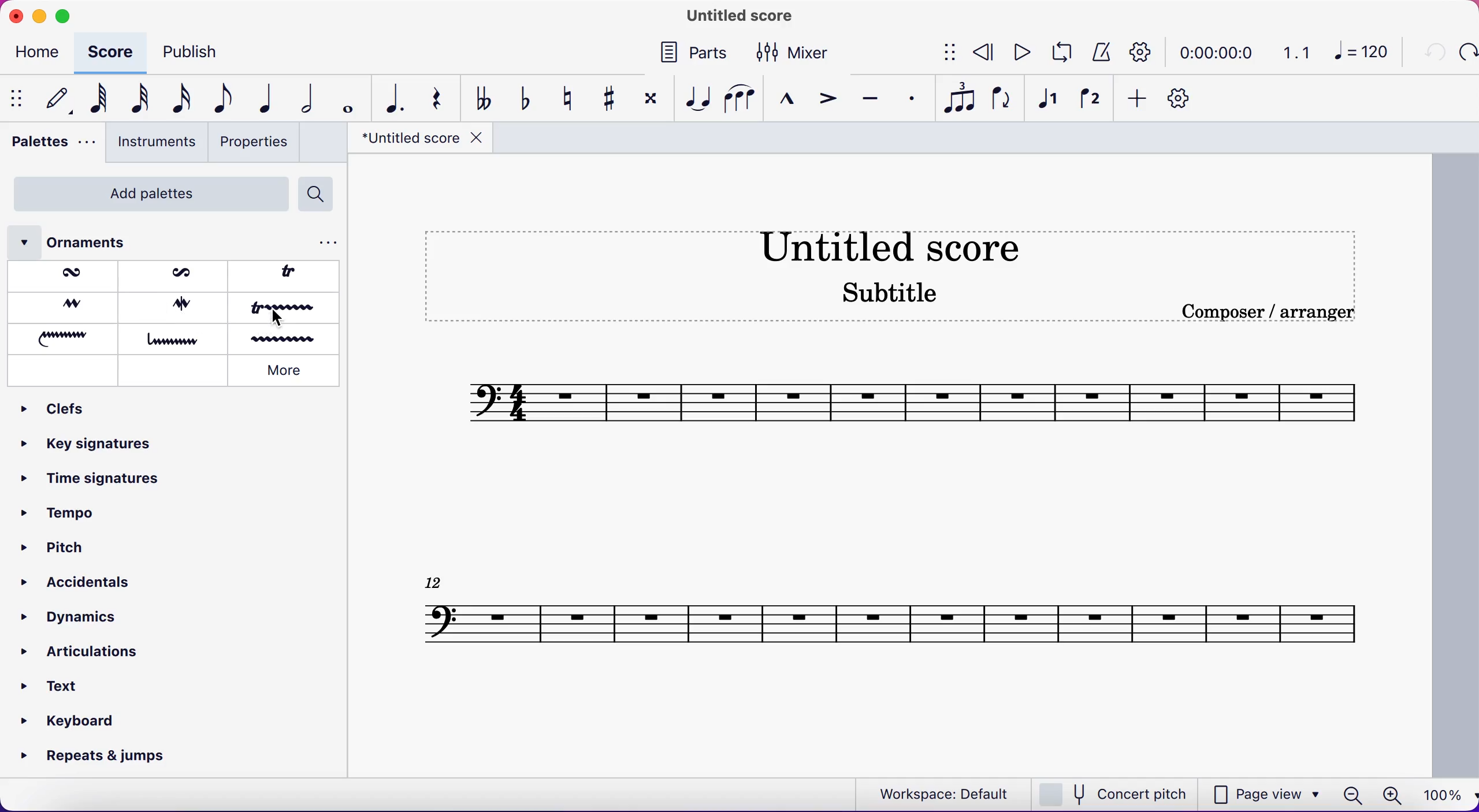 The width and height of the screenshot is (1479, 812). Describe the element at coordinates (87, 653) in the screenshot. I see `articulations` at that location.